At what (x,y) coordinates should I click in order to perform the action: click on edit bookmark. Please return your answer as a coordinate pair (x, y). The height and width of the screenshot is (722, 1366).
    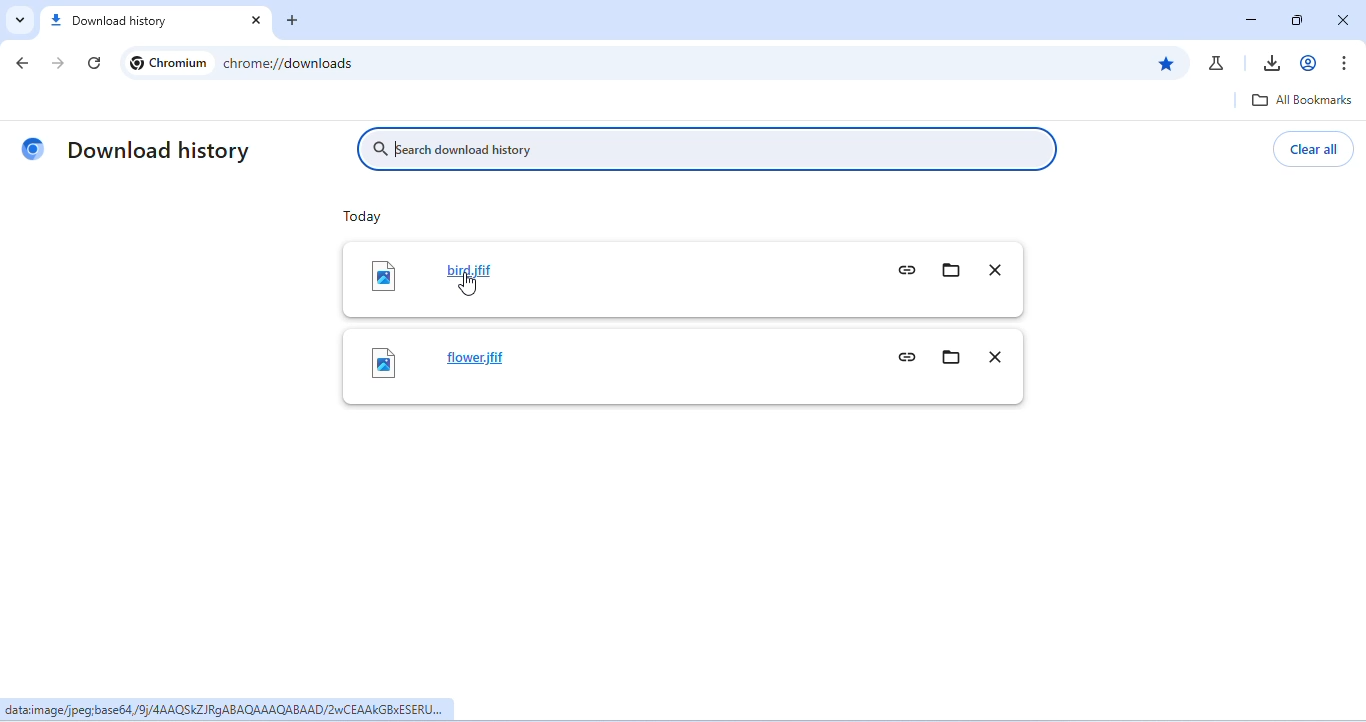
    Looking at the image, I should click on (1162, 63).